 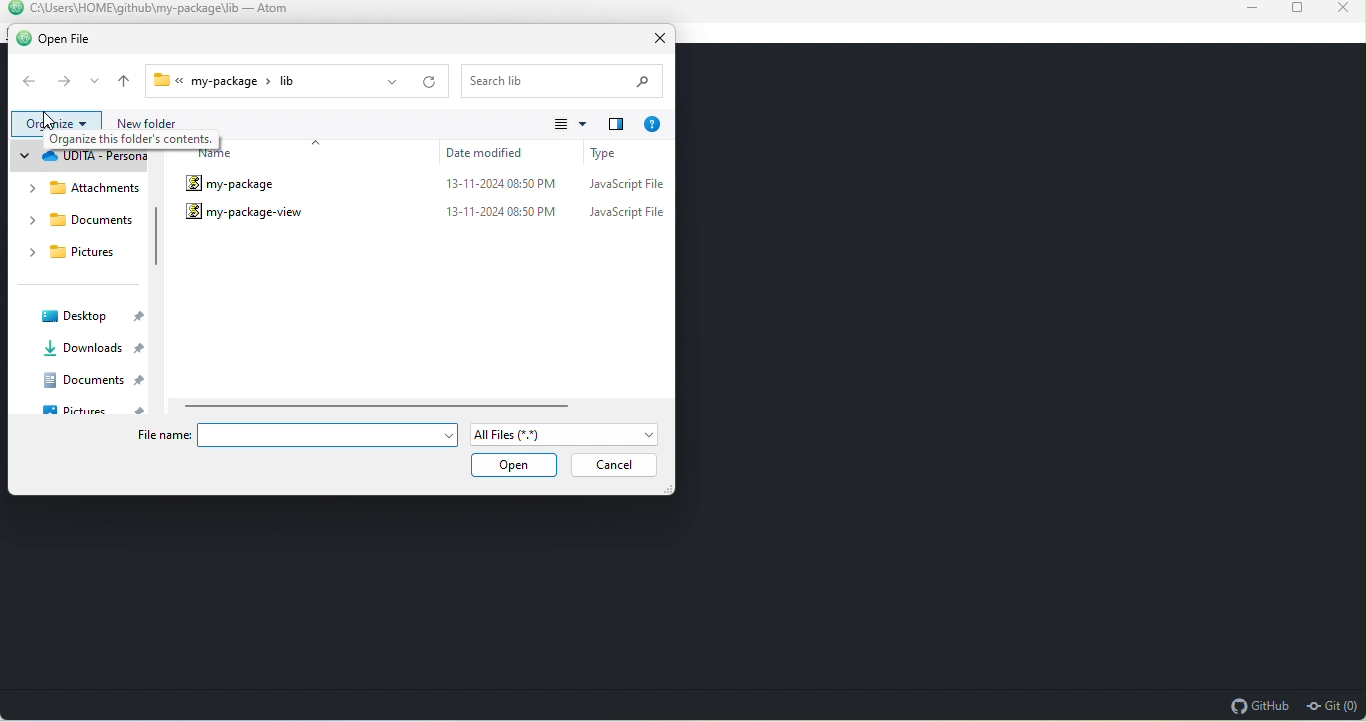 What do you see at coordinates (504, 186) in the screenshot?
I see `13-11-2024 06.50 pm` at bounding box center [504, 186].